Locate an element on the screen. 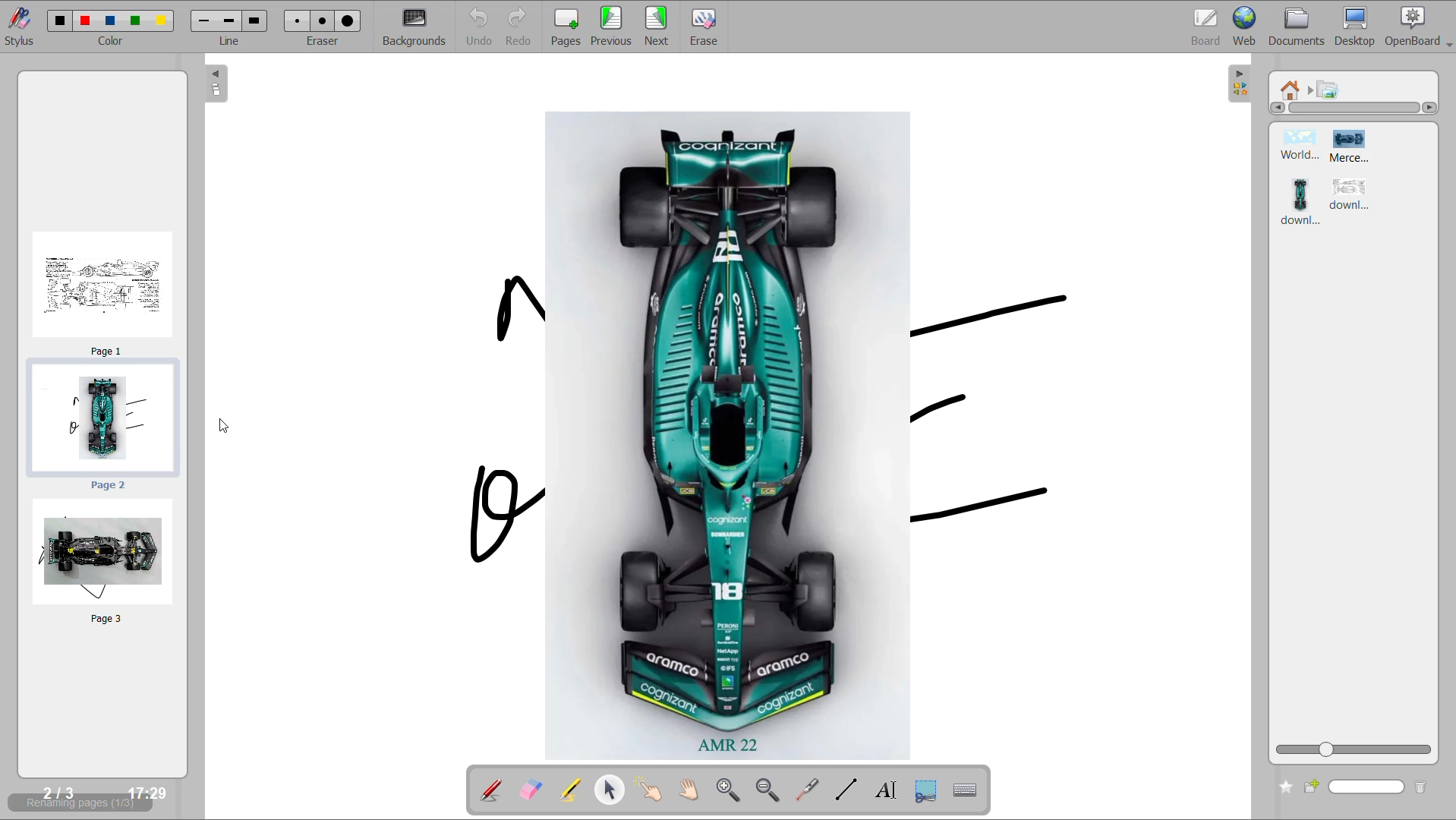  image 1 is located at coordinates (1297, 147).